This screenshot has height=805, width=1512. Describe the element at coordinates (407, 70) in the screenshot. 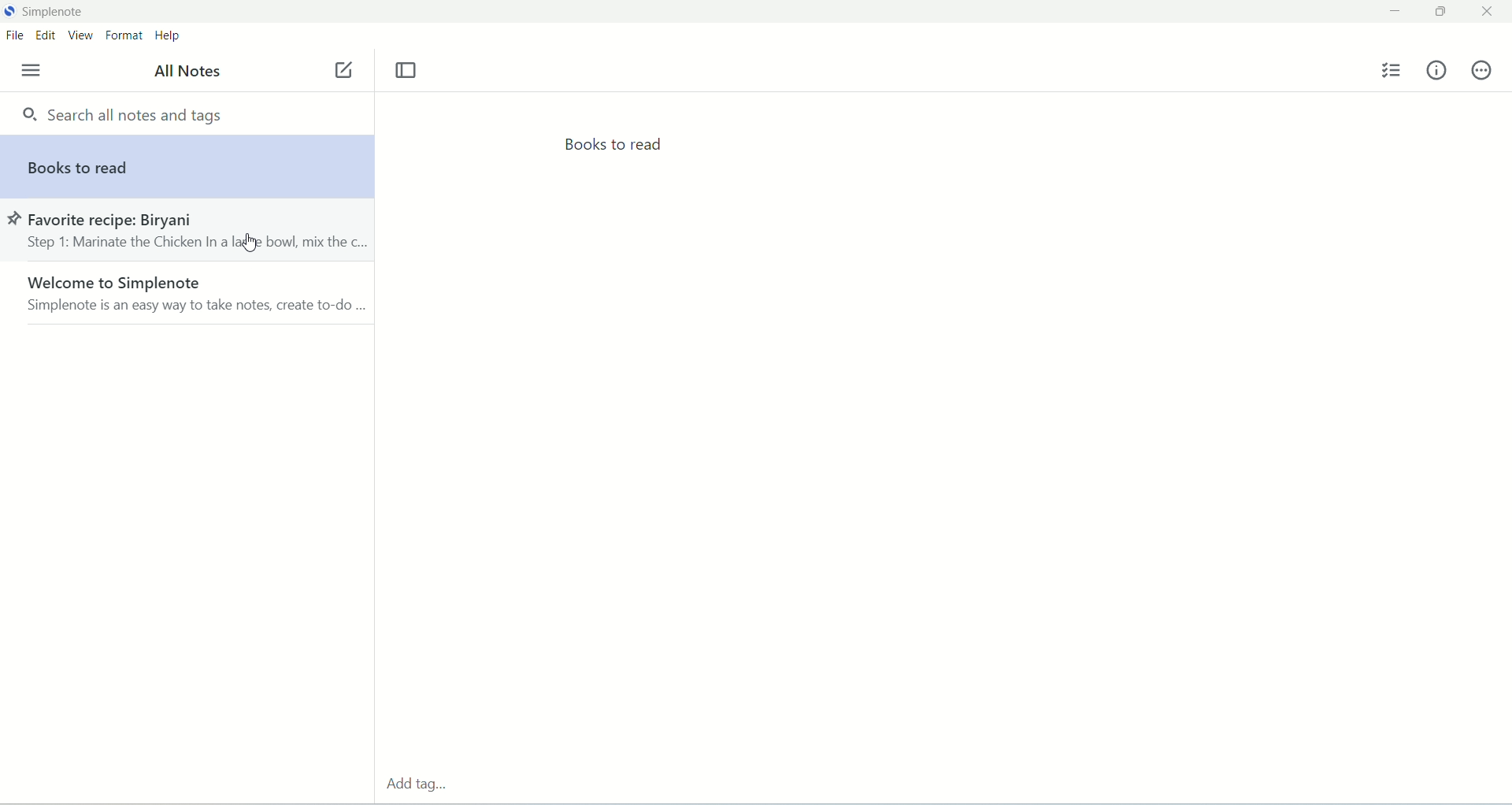

I see `toggle focus mode` at that location.